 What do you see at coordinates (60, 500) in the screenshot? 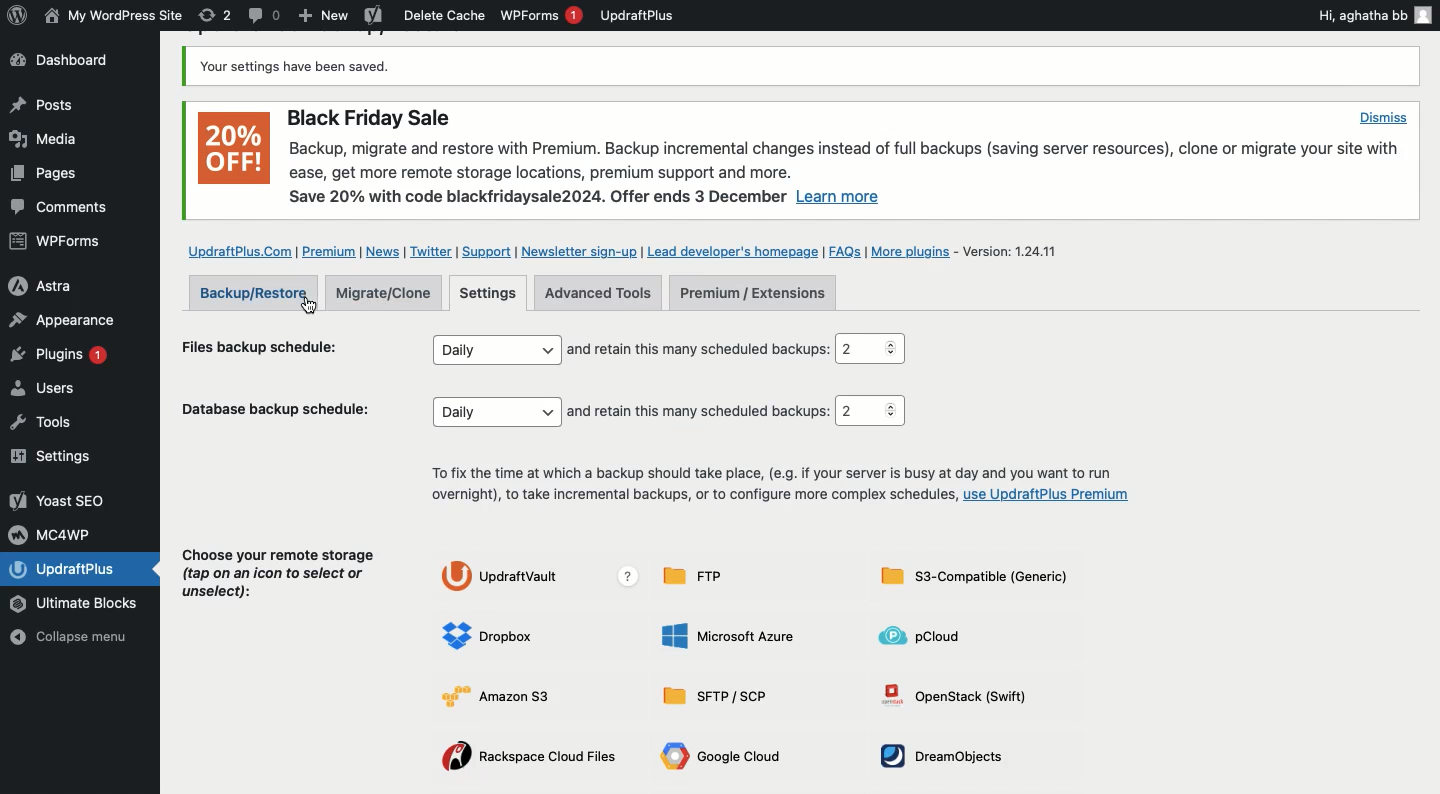
I see `Yoast SEO` at bounding box center [60, 500].